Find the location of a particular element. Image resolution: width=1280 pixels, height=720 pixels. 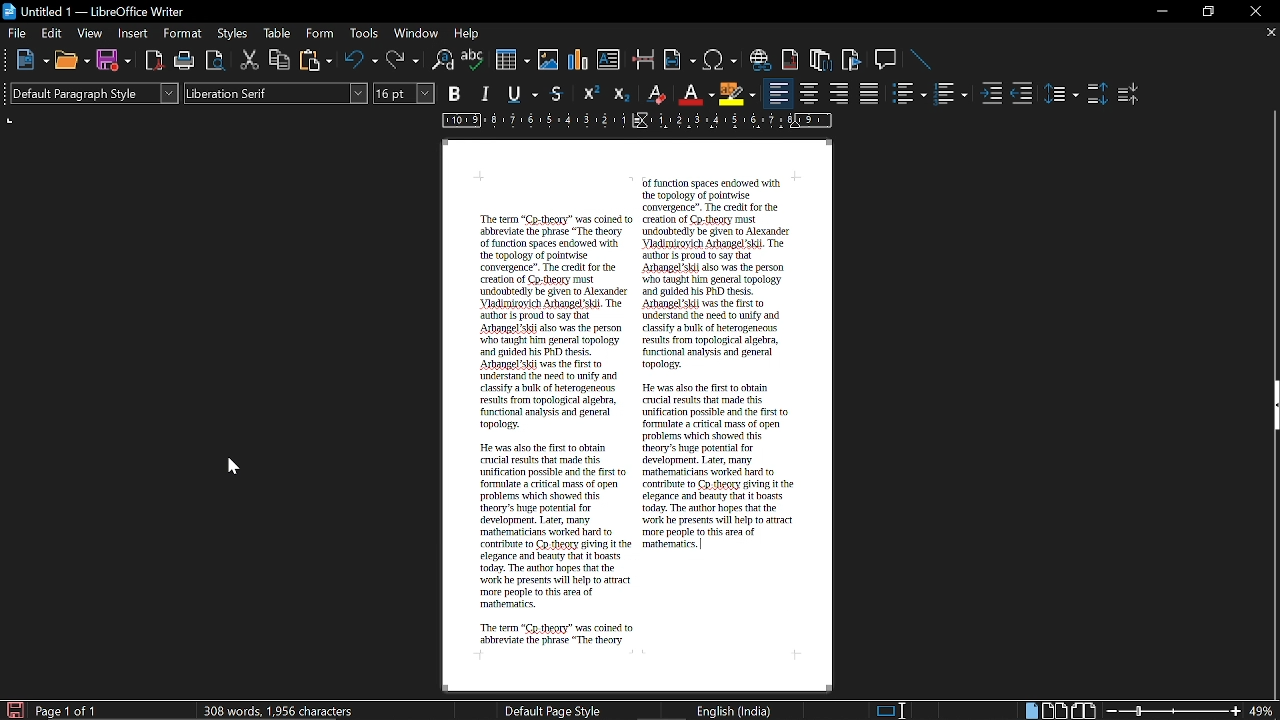

Find and replace is located at coordinates (443, 62).